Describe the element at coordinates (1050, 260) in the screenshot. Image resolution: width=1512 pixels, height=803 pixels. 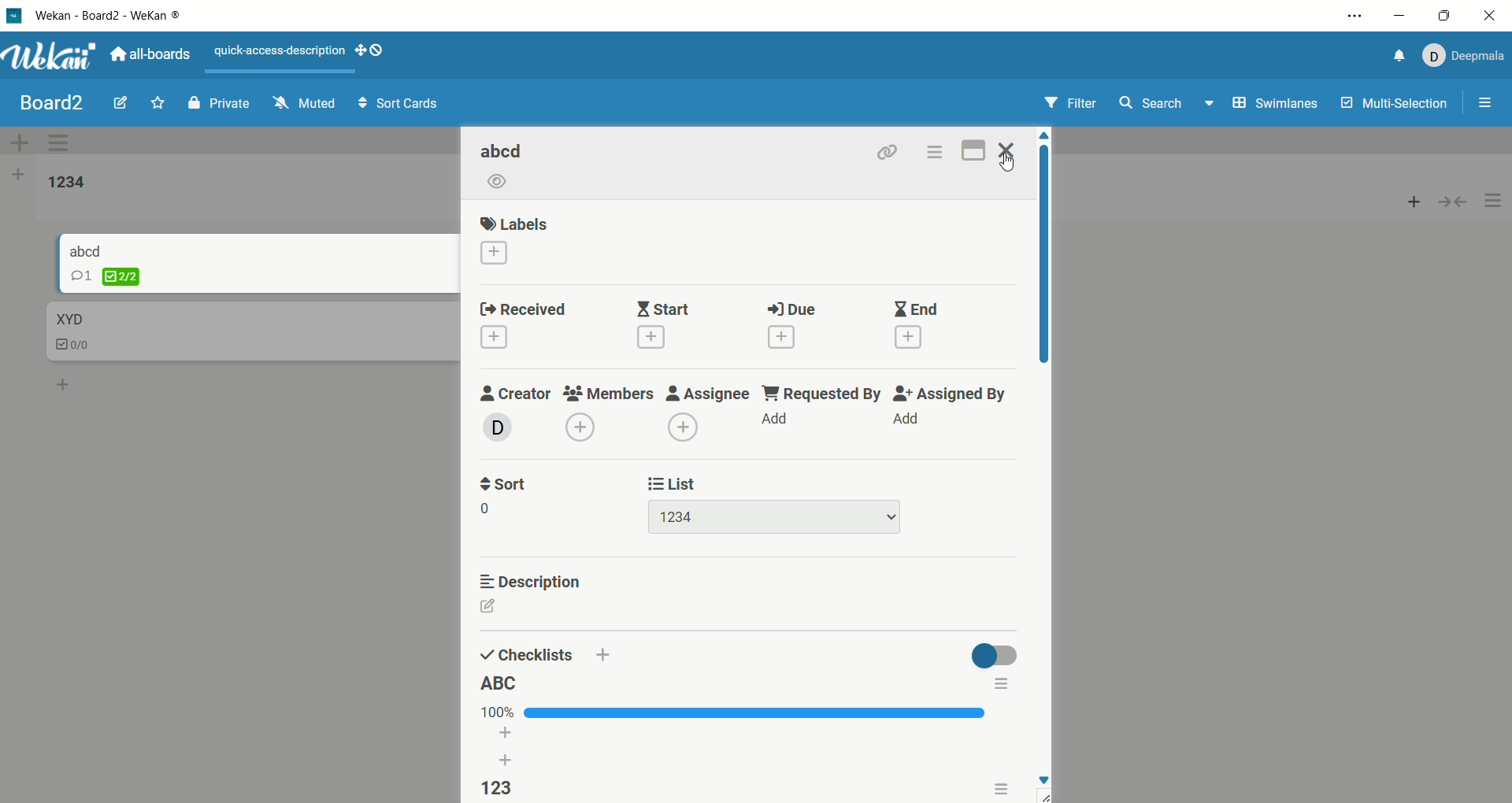
I see `vertical scroll bar` at that location.